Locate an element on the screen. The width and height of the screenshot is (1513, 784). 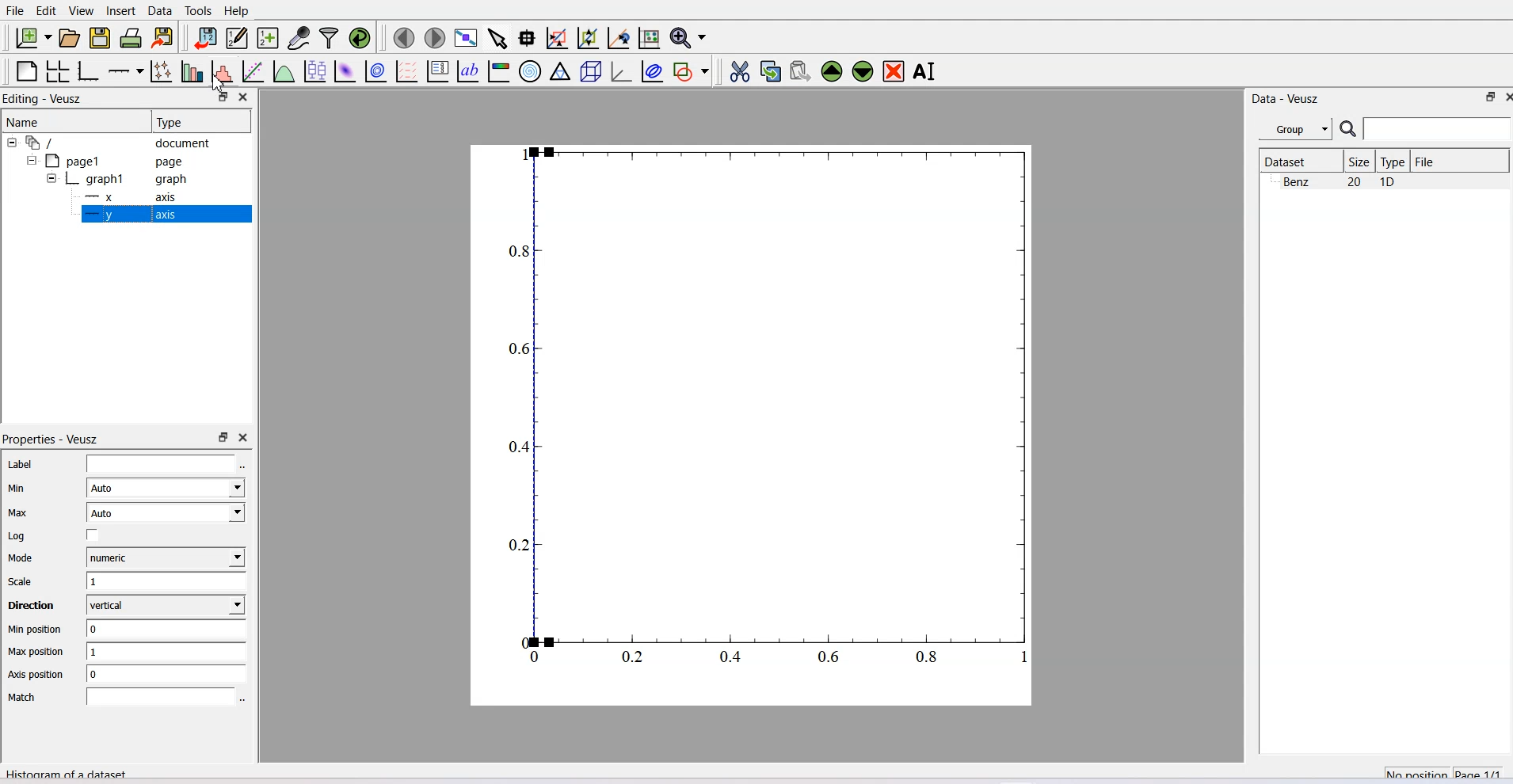
Plot a 2D dataset as contour is located at coordinates (376, 71).